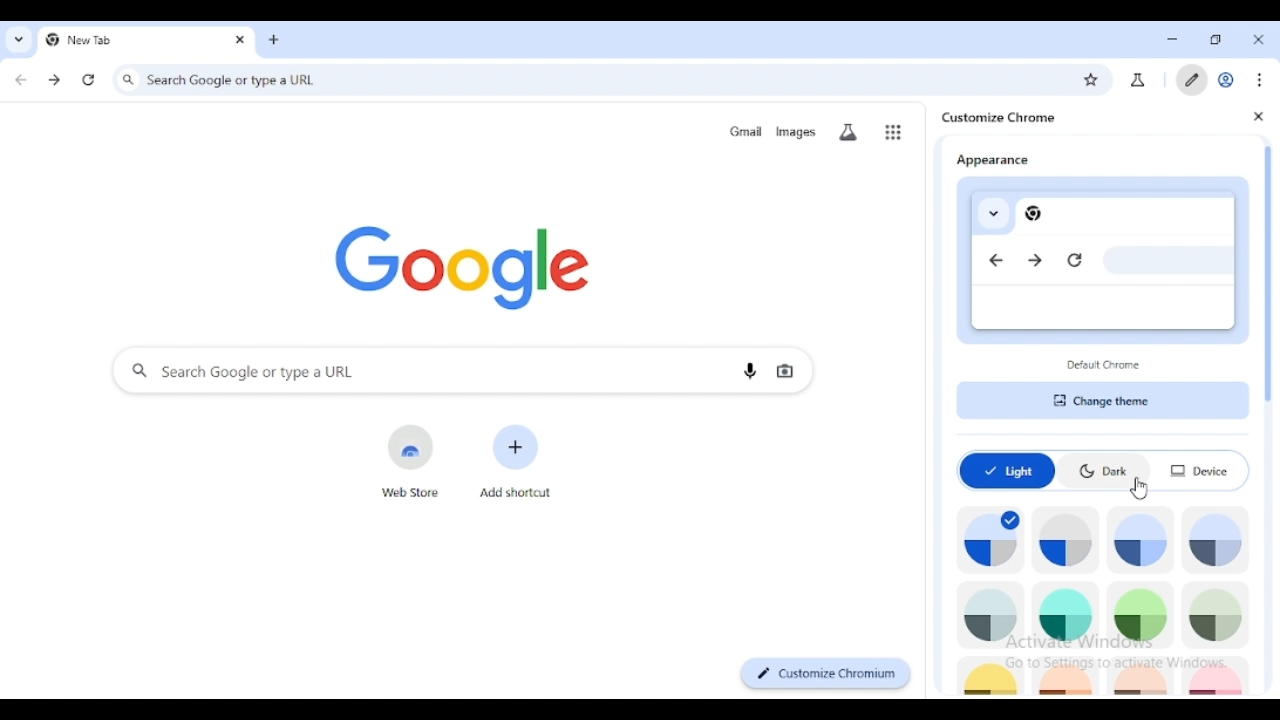 The image size is (1280, 720). What do you see at coordinates (1040, 214) in the screenshot?
I see `chrome logo` at bounding box center [1040, 214].